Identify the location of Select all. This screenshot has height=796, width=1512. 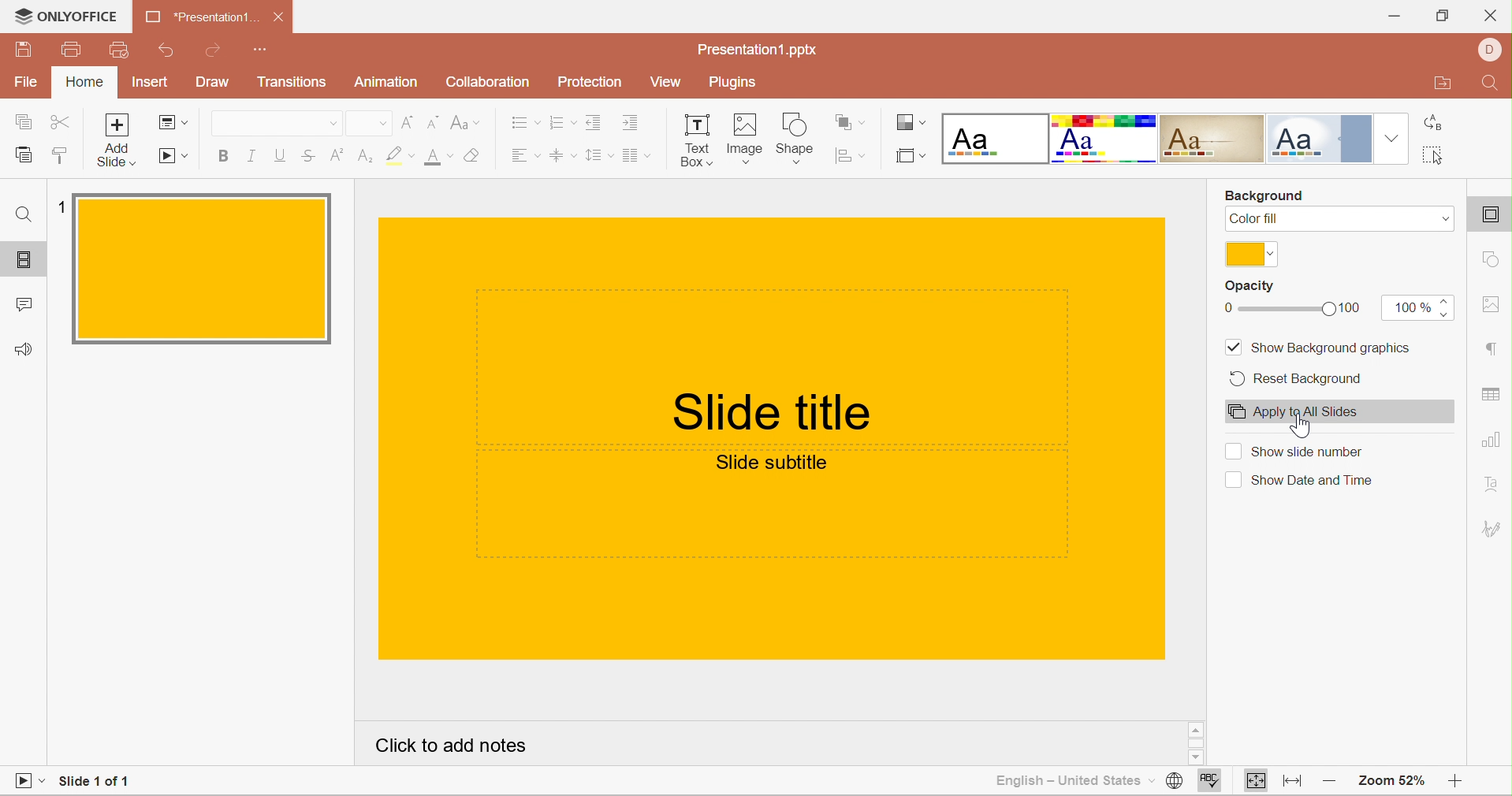
(1435, 158).